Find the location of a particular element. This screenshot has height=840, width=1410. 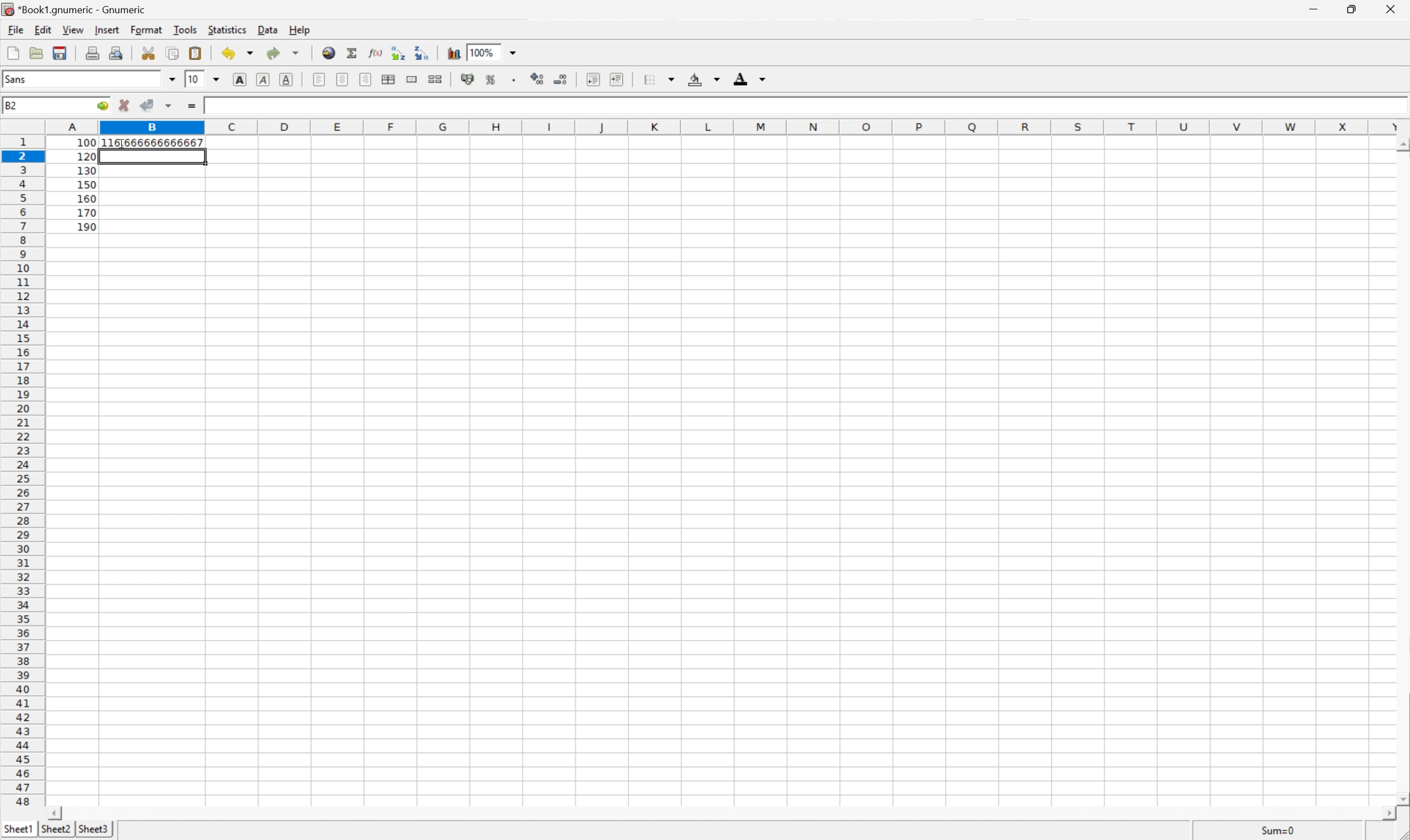

Scroll Left is located at coordinates (58, 811).